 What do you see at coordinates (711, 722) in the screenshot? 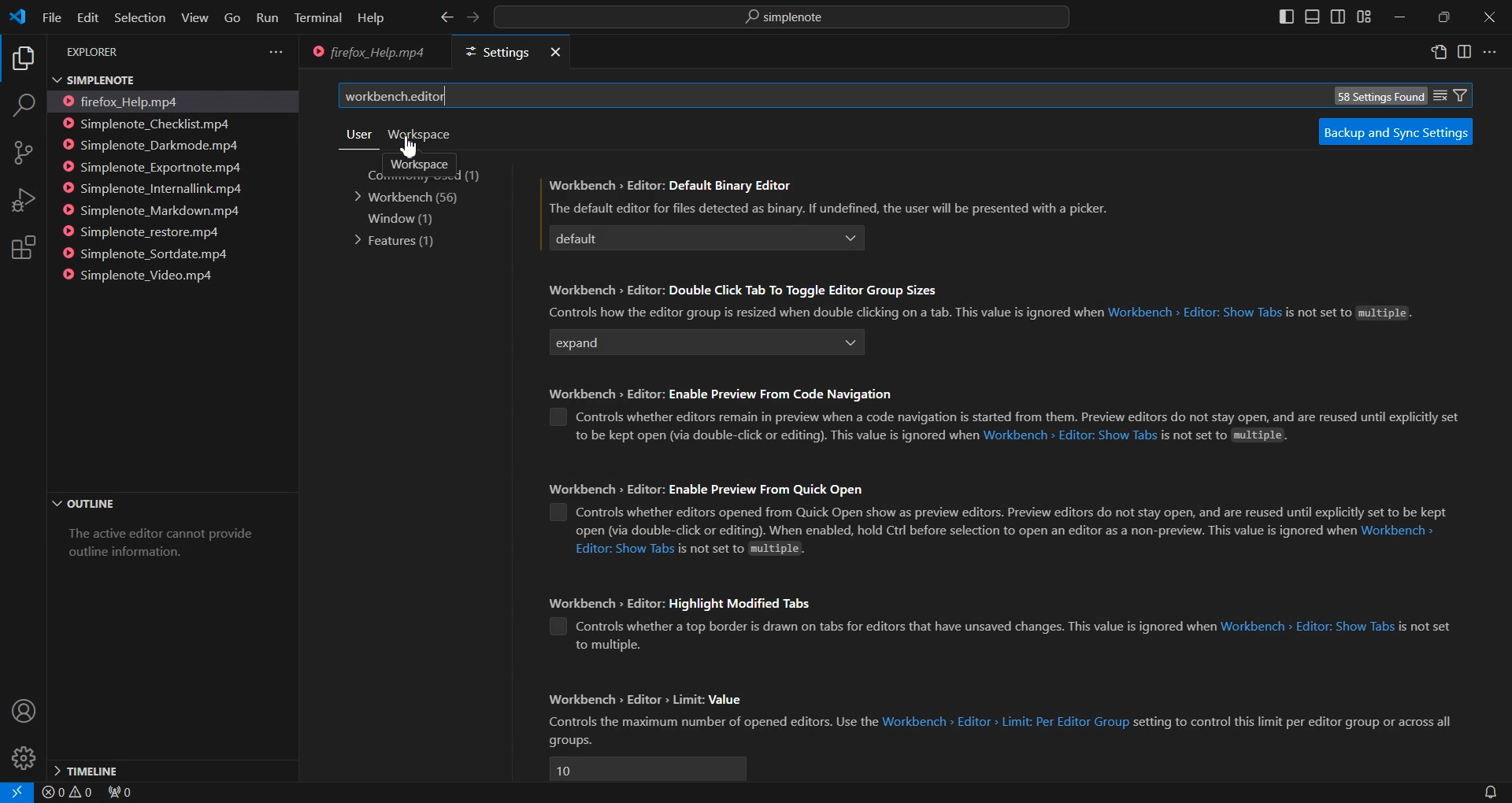
I see `Controls the maximum number of opened editors. Use the` at bounding box center [711, 722].